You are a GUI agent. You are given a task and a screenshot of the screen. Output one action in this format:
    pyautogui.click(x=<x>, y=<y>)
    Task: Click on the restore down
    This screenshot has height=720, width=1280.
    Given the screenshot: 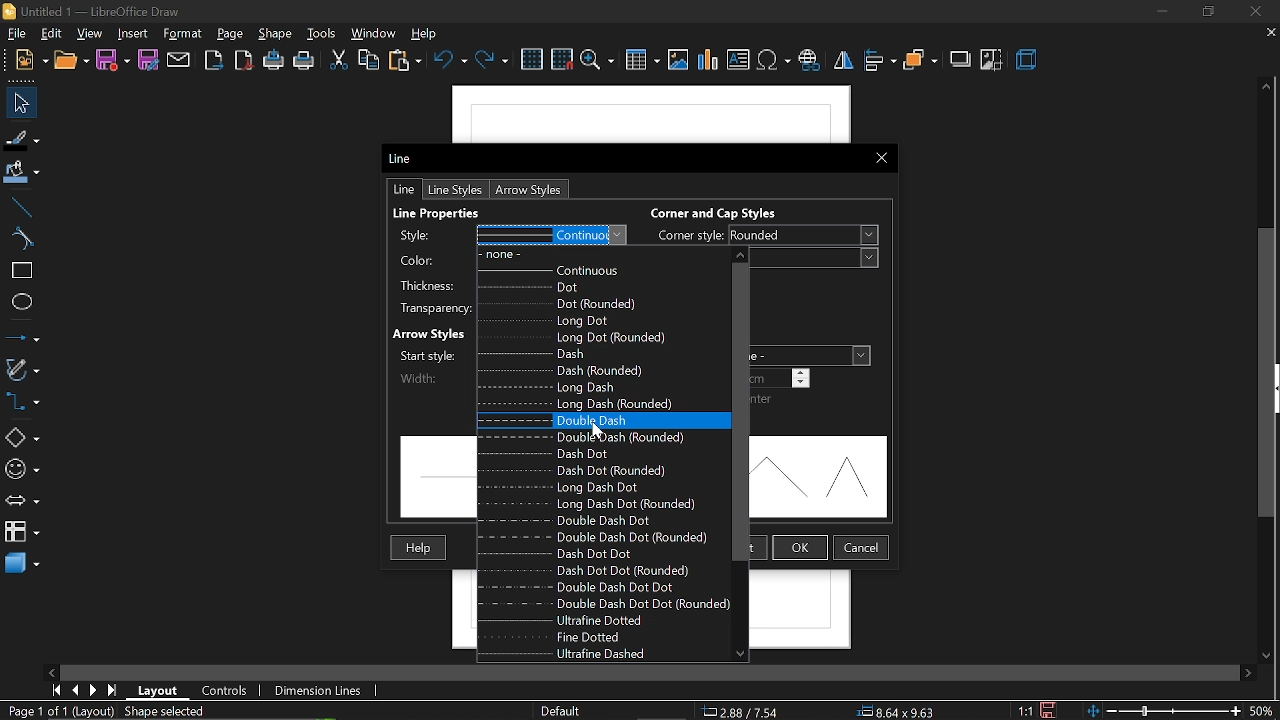 What is the action you would take?
    pyautogui.click(x=1206, y=13)
    